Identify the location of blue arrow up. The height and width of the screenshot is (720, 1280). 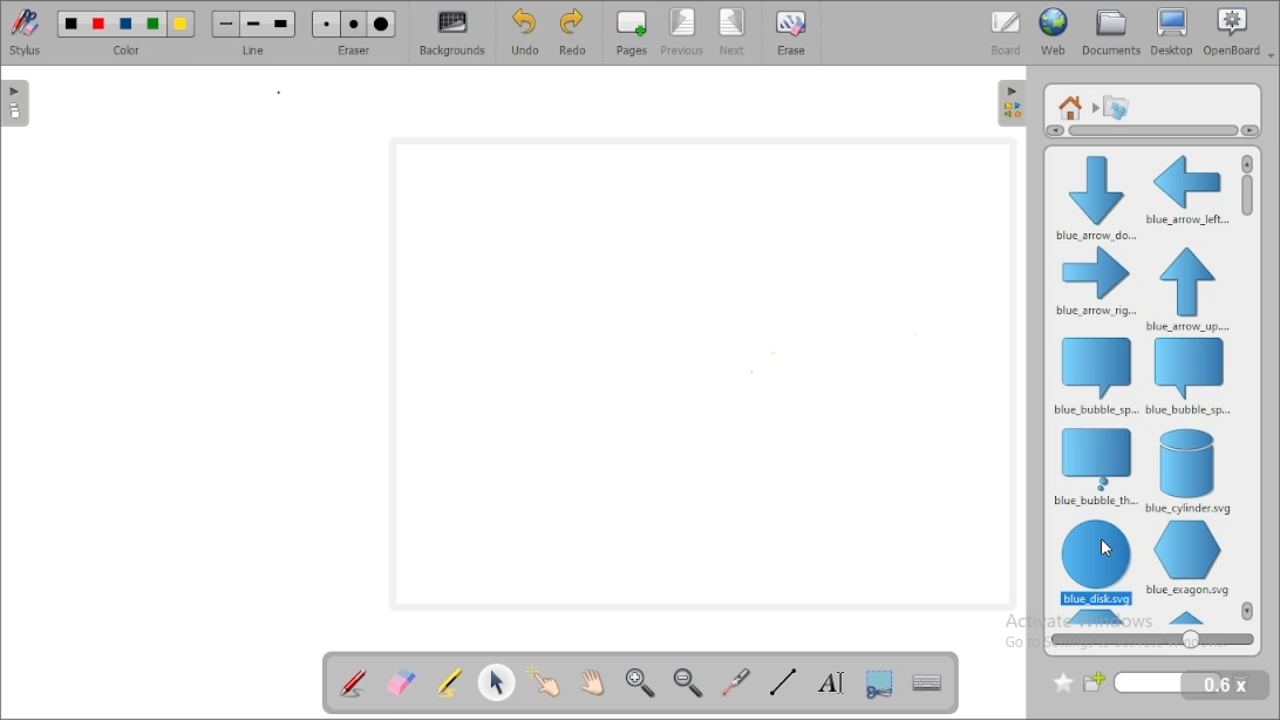
(1188, 289).